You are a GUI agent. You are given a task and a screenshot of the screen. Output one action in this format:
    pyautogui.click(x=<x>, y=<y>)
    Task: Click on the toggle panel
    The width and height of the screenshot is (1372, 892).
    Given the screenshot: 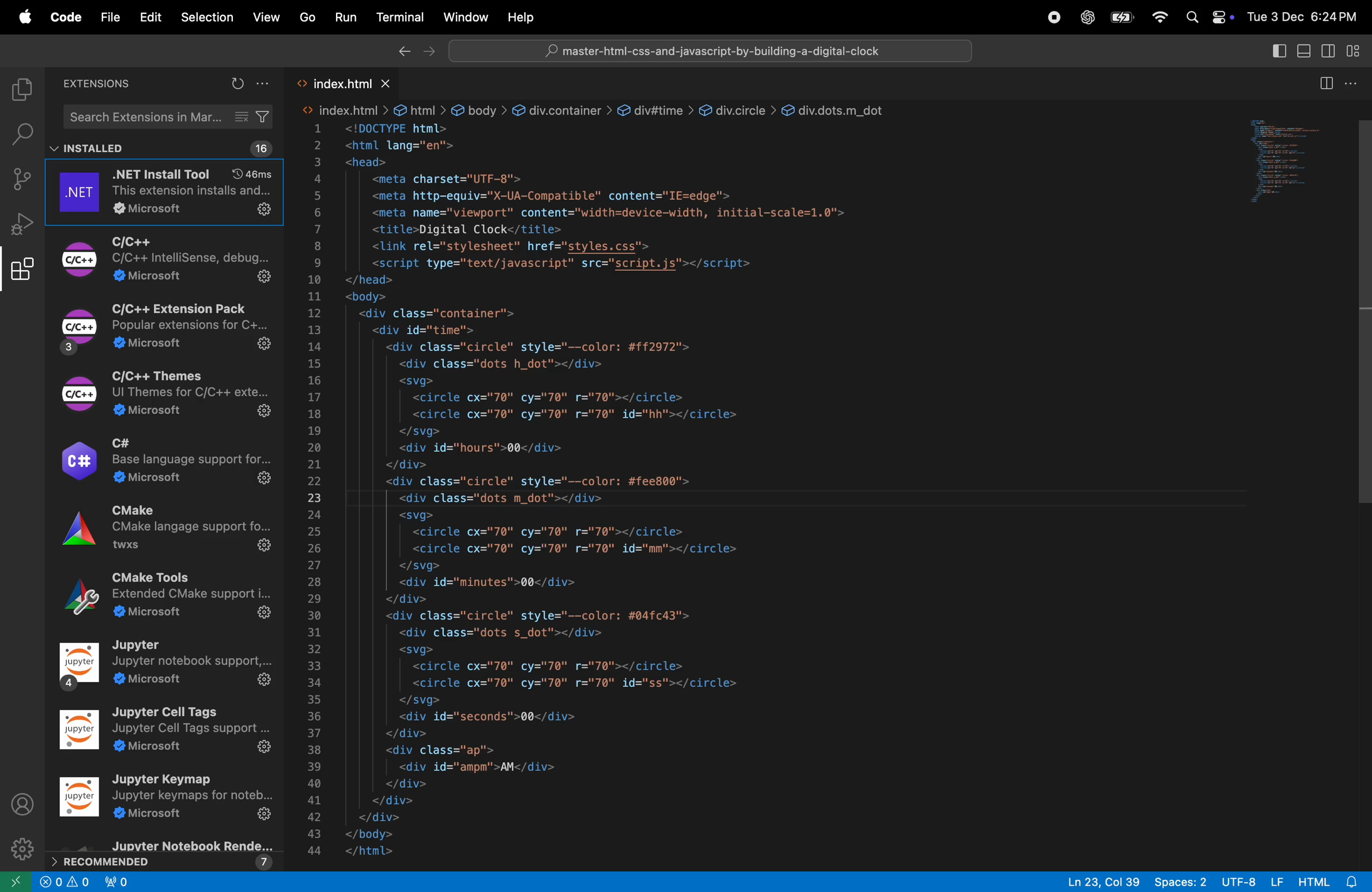 What is the action you would take?
    pyautogui.click(x=1305, y=51)
    